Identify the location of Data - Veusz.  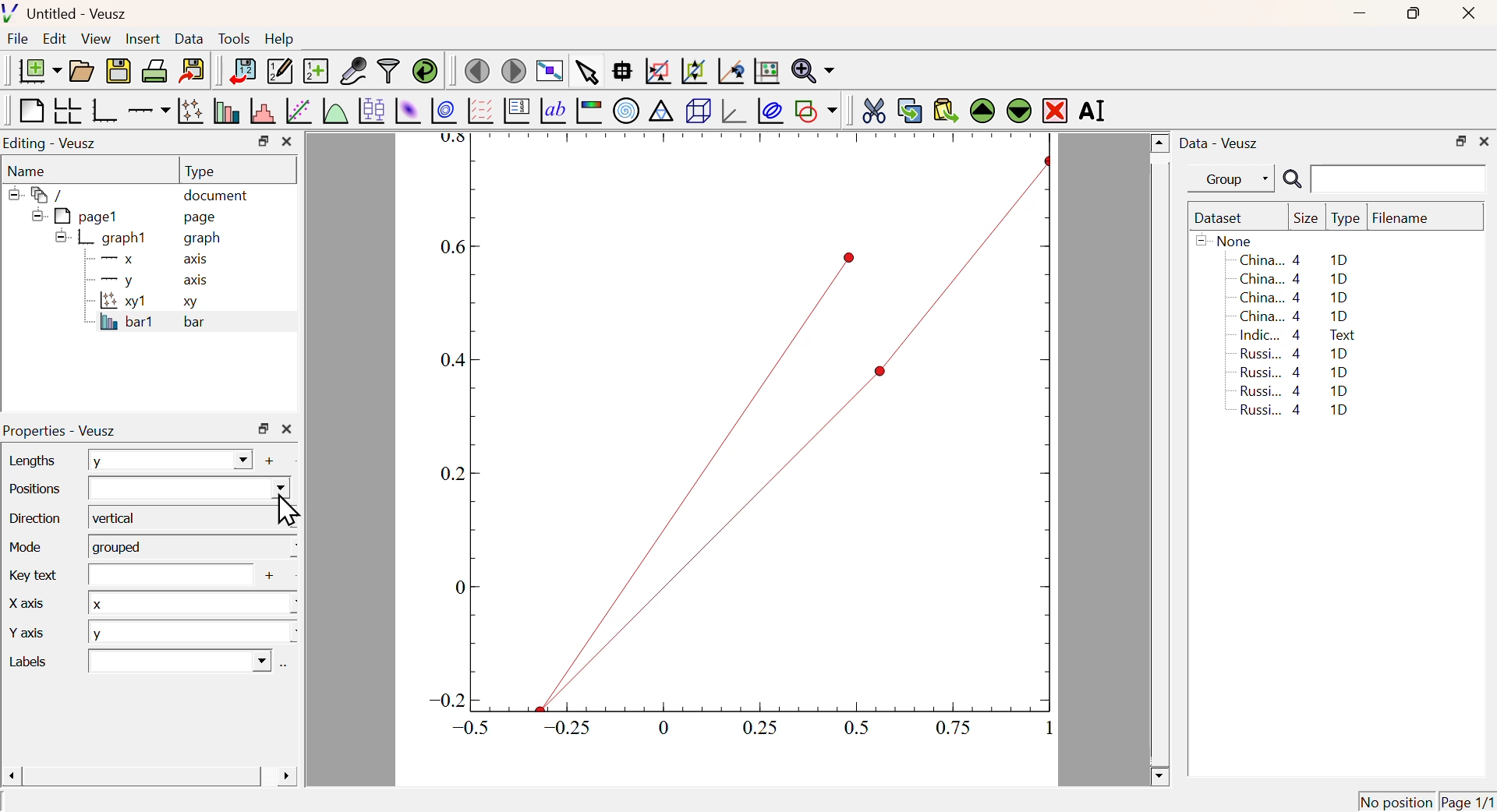
(1222, 144).